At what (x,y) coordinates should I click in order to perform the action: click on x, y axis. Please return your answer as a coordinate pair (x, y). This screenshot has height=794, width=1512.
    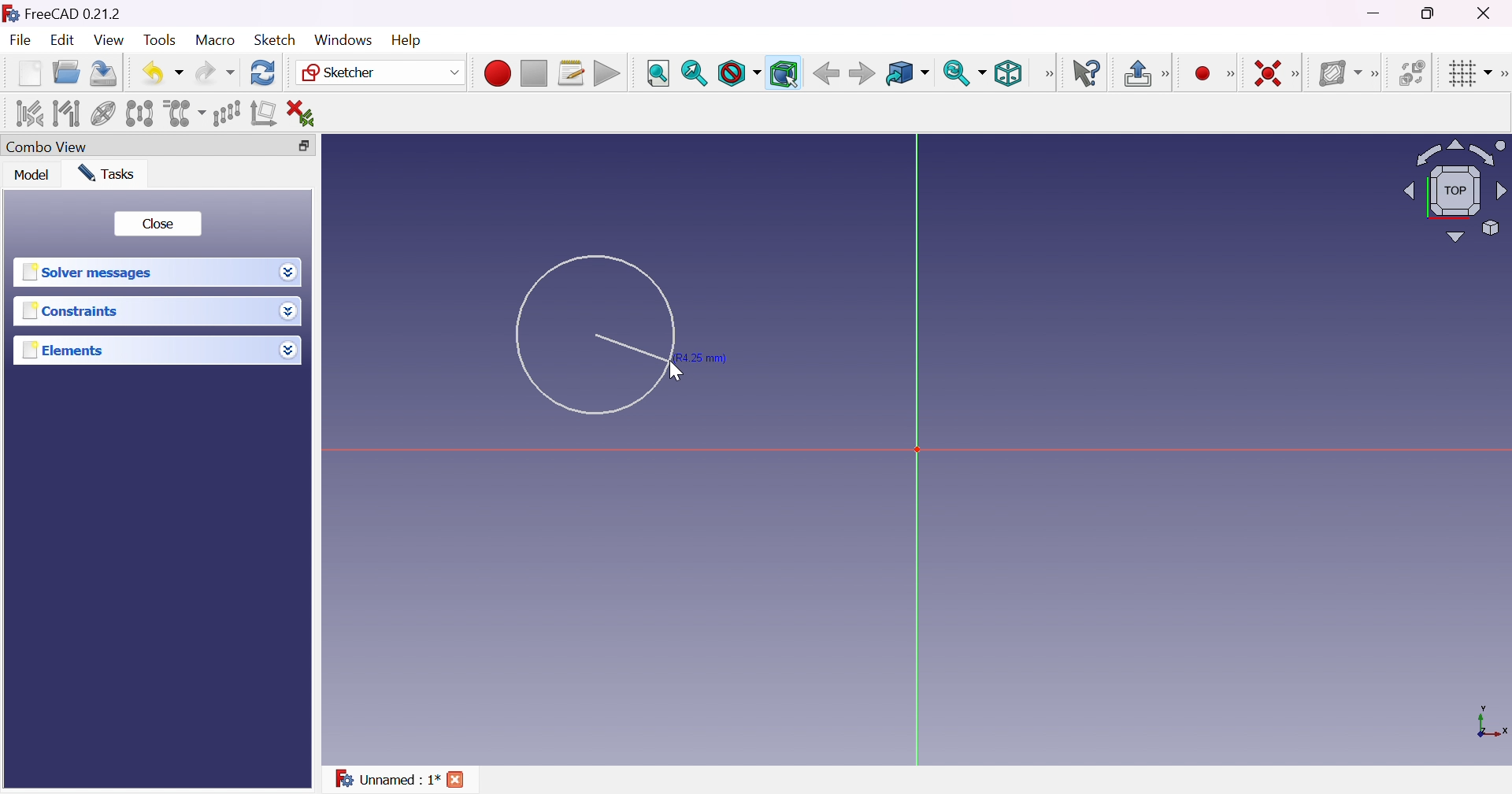
    Looking at the image, I should click on (1490, 724).